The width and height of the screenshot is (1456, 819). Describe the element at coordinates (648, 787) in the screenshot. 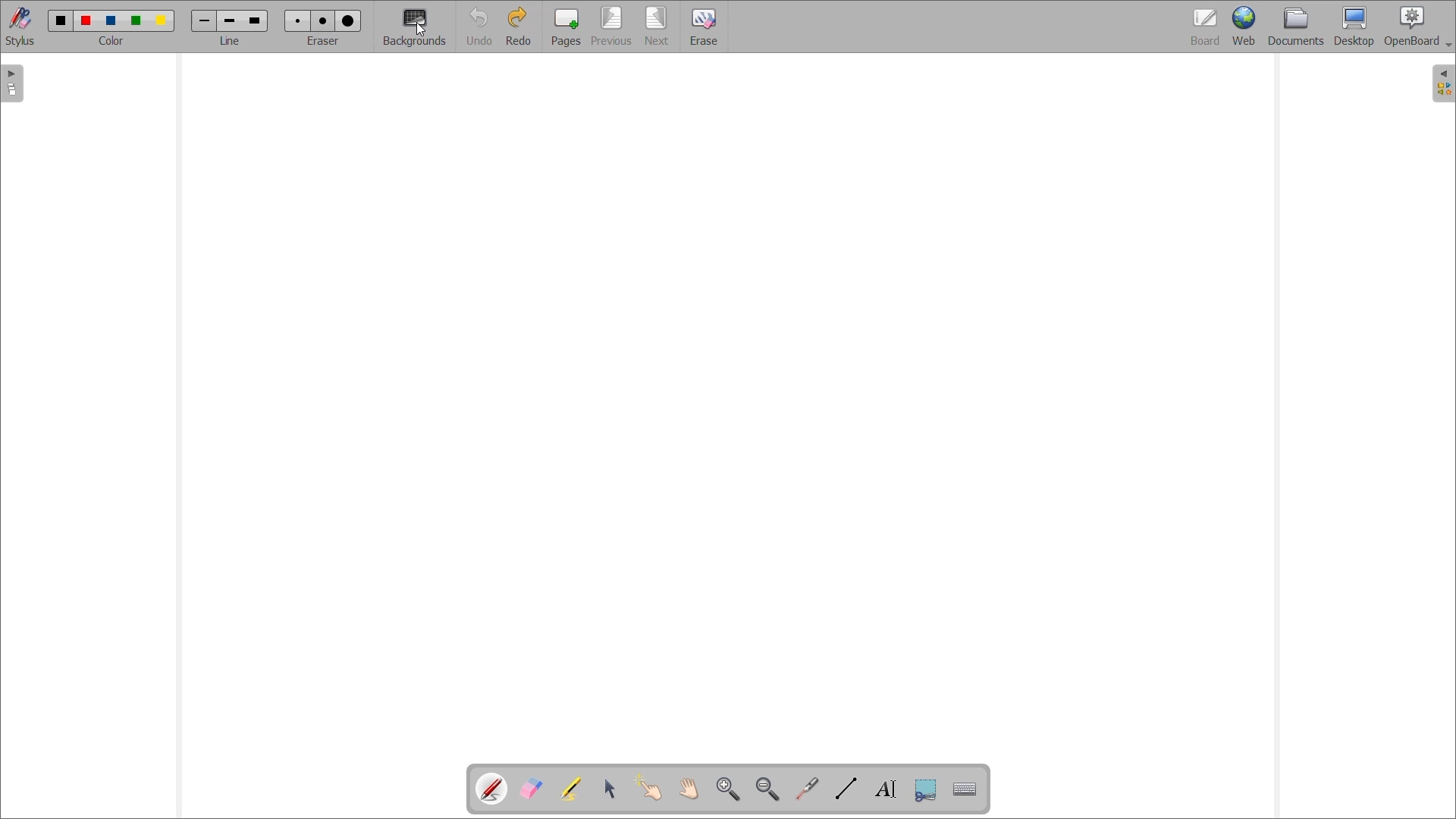

I see `Interact with items` at that location.